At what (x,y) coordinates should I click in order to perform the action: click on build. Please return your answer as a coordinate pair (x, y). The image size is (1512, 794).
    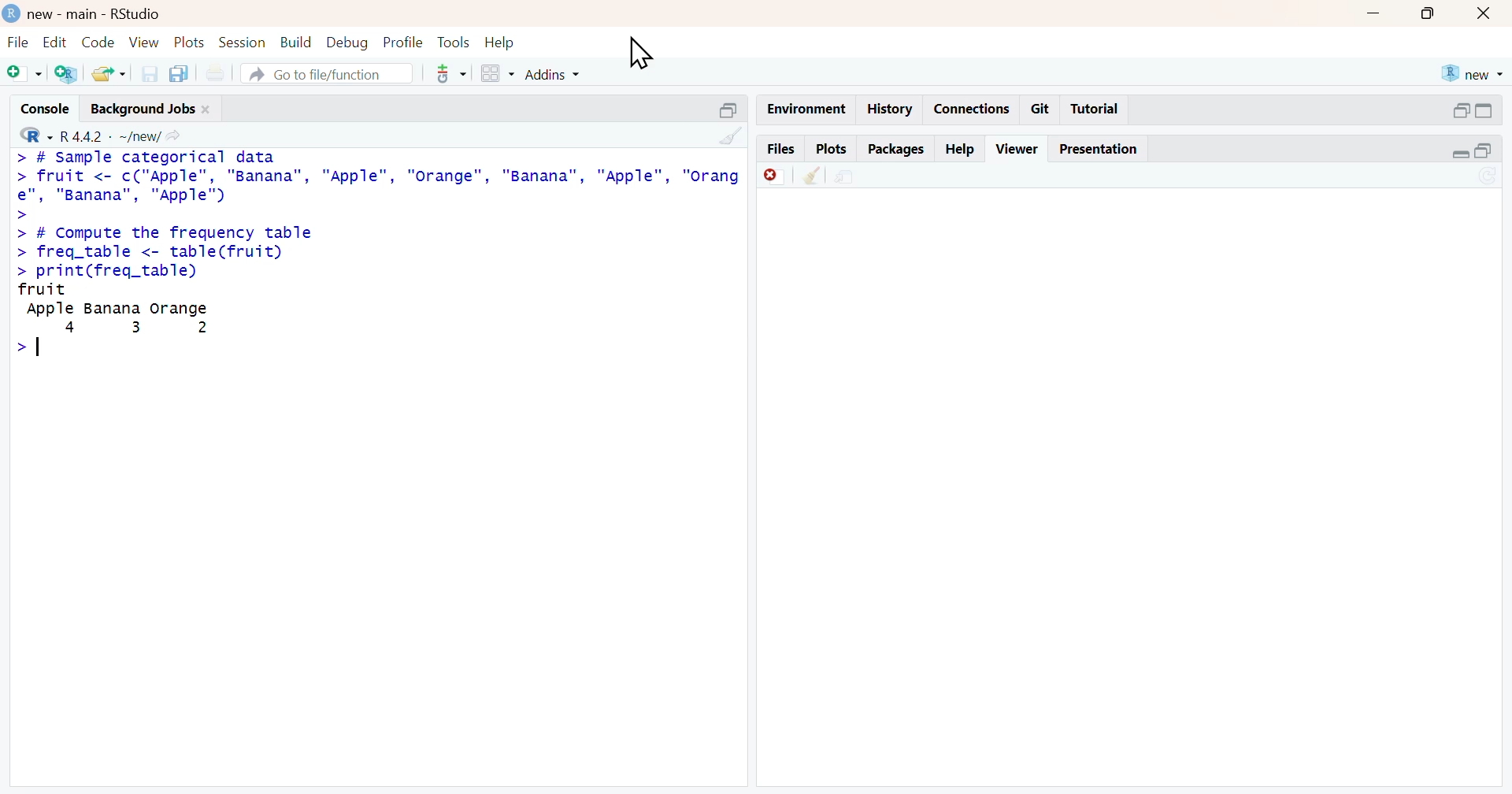
    Looking at the image, I should click on (295, 43).